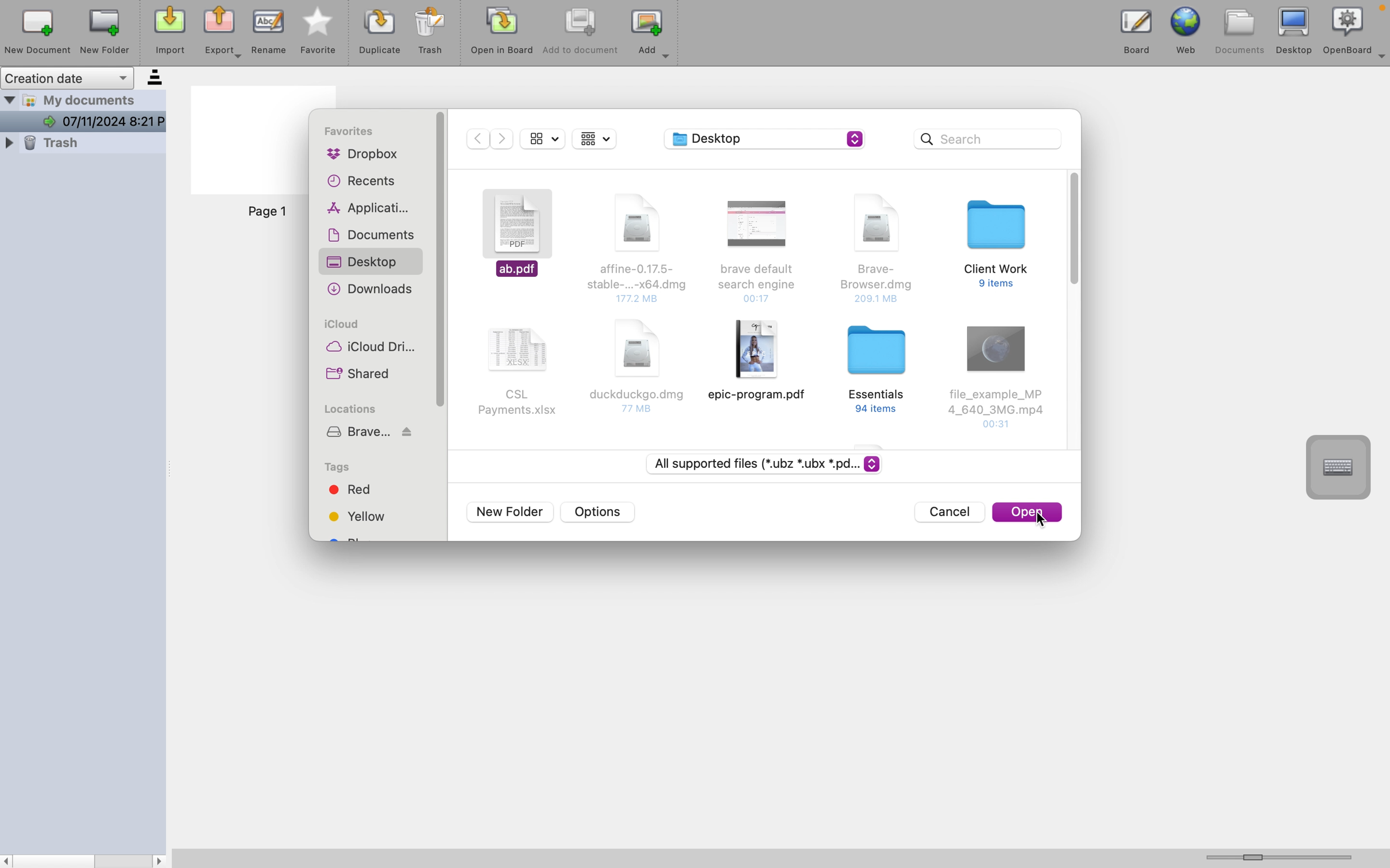  Describe the element at coordinates (577, 35) in the screenshot. I see `add to document` at that location.